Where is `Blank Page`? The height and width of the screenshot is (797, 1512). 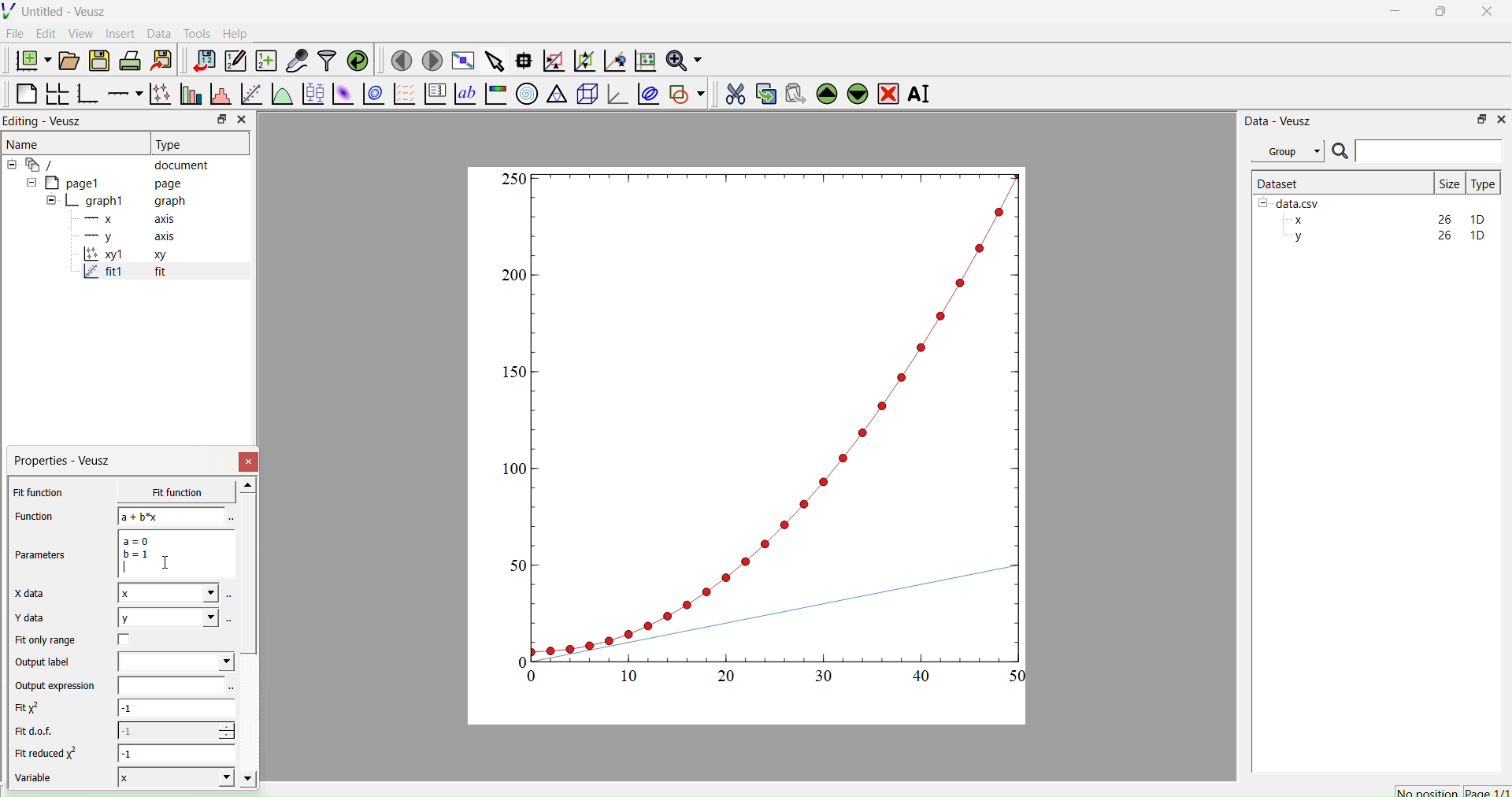
Blank Page is located at coordinates (26, 94).